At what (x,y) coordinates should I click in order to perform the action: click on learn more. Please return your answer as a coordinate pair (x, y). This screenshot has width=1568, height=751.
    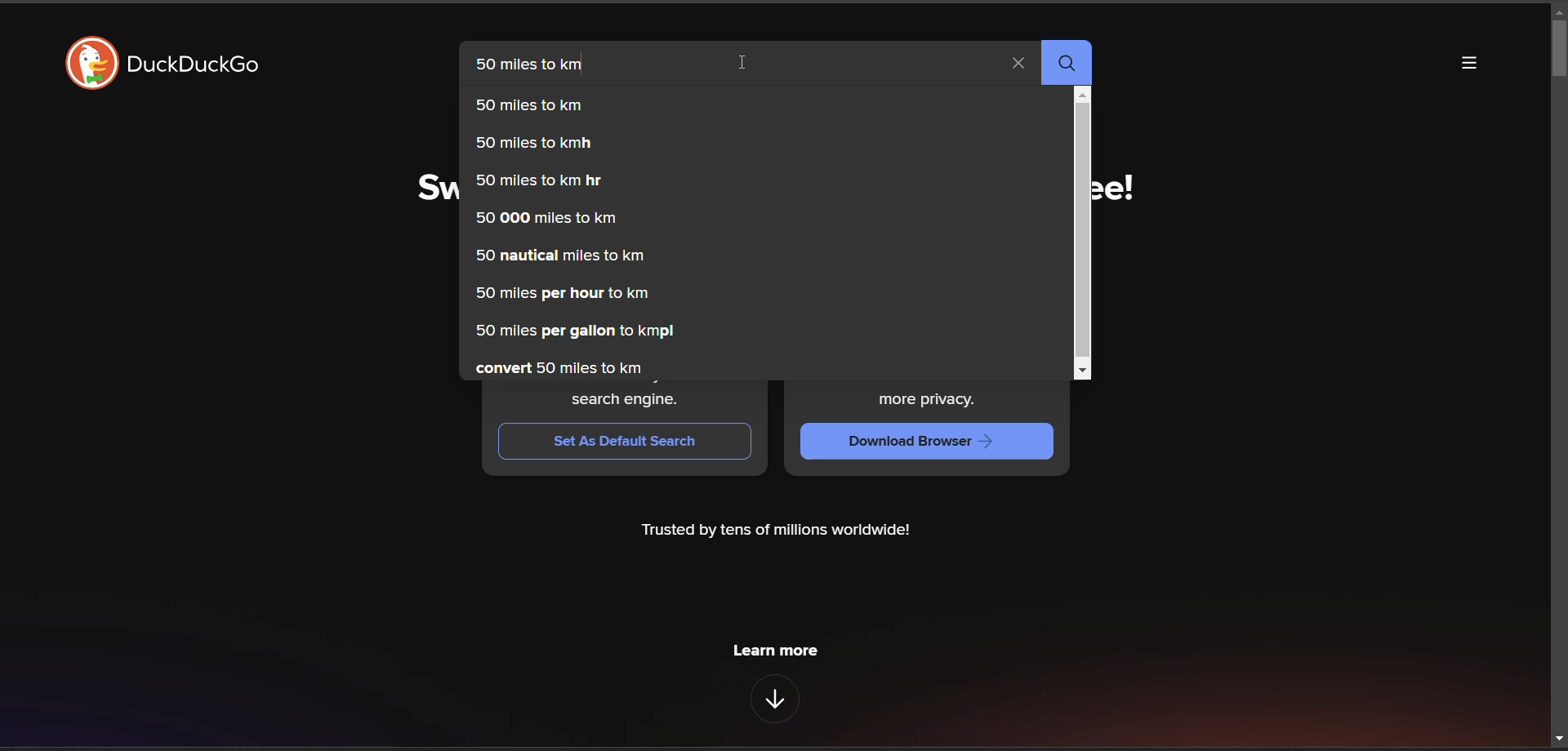
    Looking at the image, I should click on (778, 655).